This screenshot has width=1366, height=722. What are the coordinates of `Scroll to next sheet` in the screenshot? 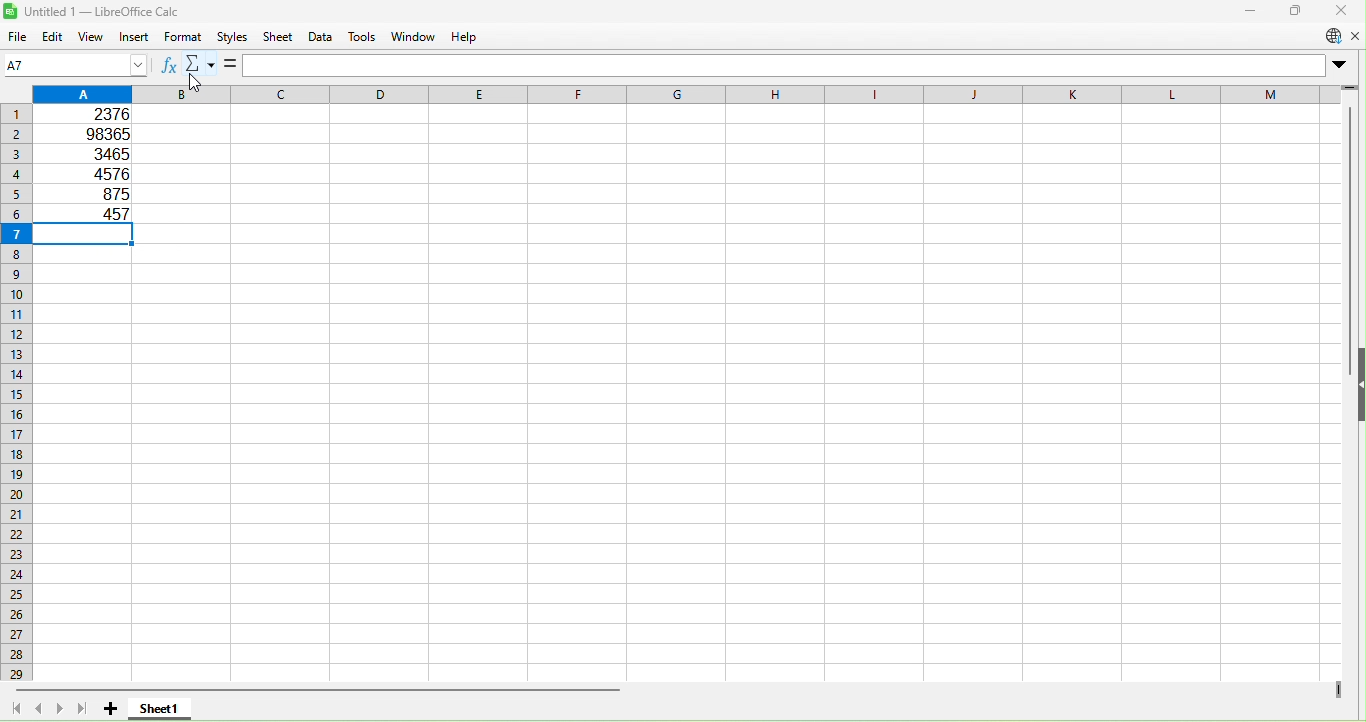 It's located at (61, 709).